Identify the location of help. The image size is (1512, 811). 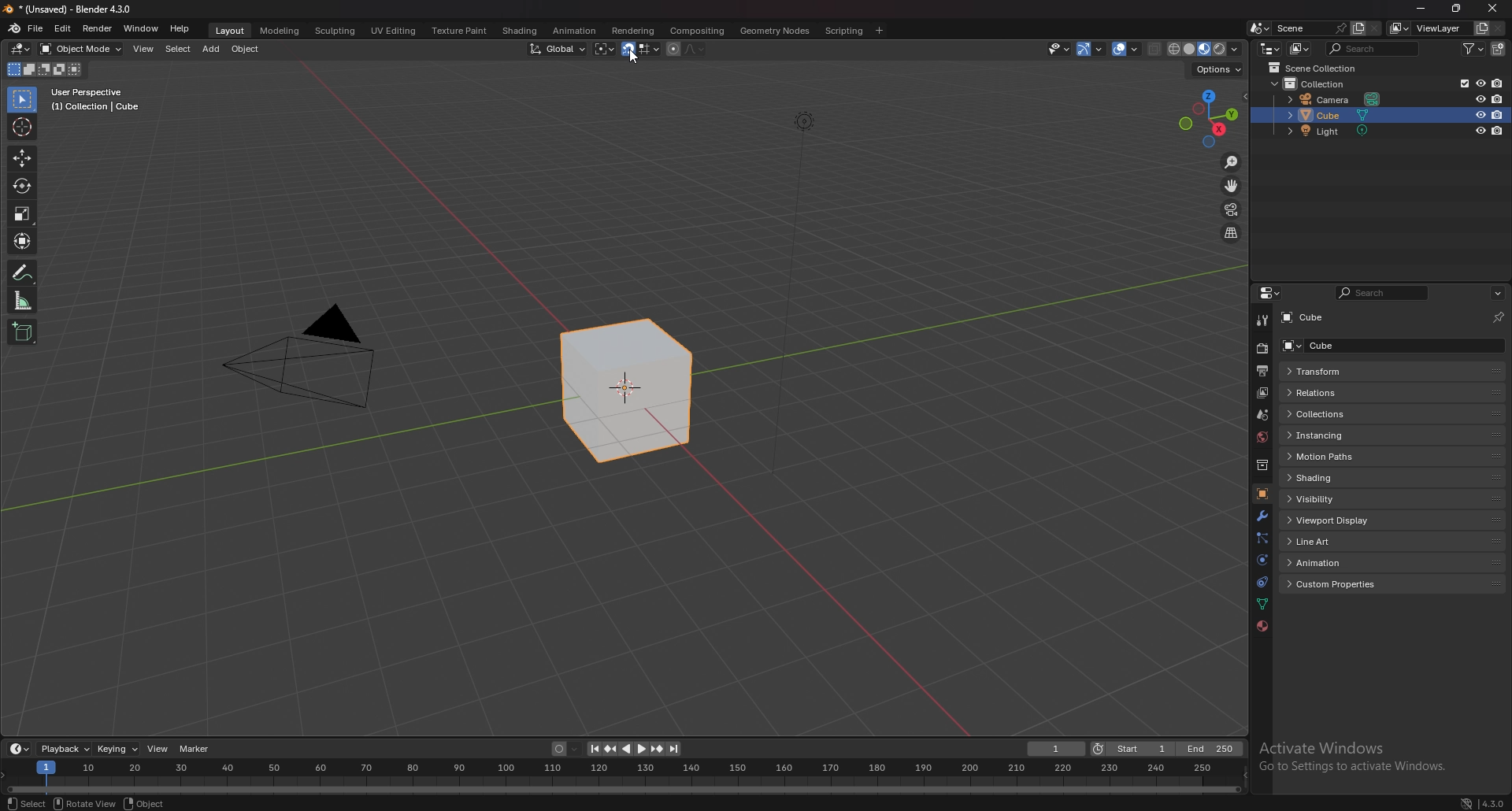
(181, 28).